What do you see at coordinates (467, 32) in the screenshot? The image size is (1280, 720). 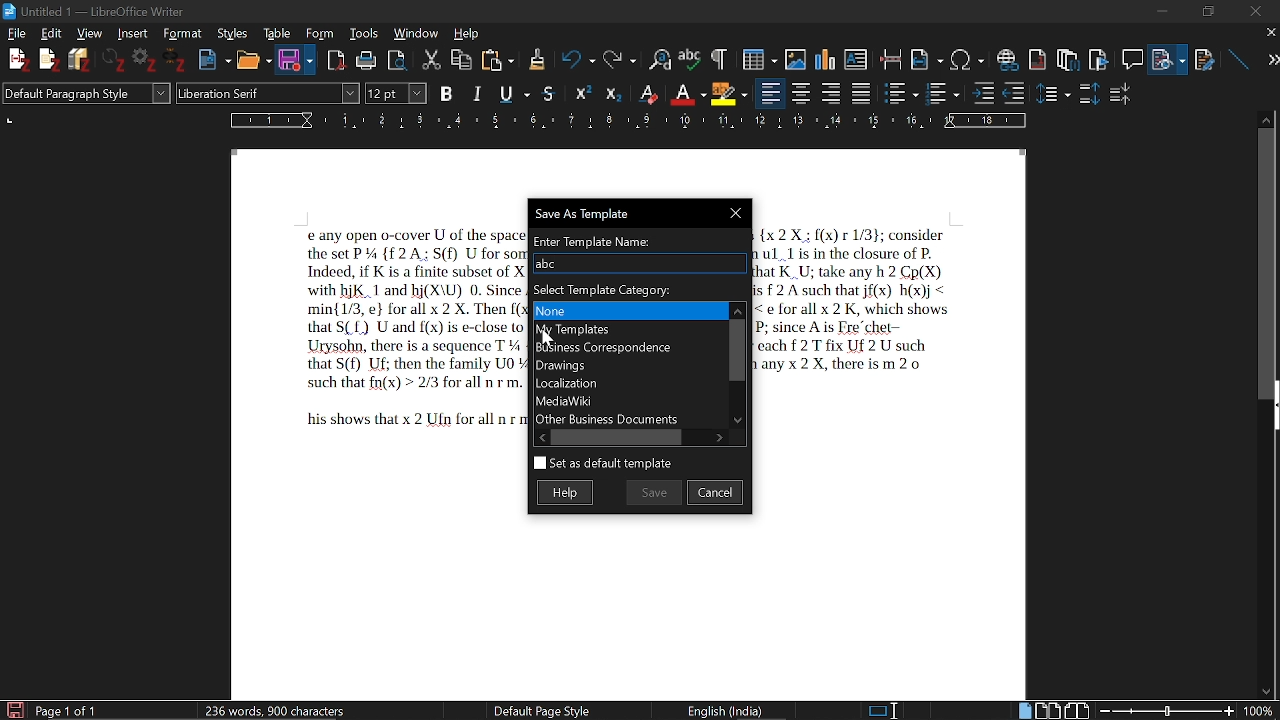 I see `Help` at bounding box center [467, 32].